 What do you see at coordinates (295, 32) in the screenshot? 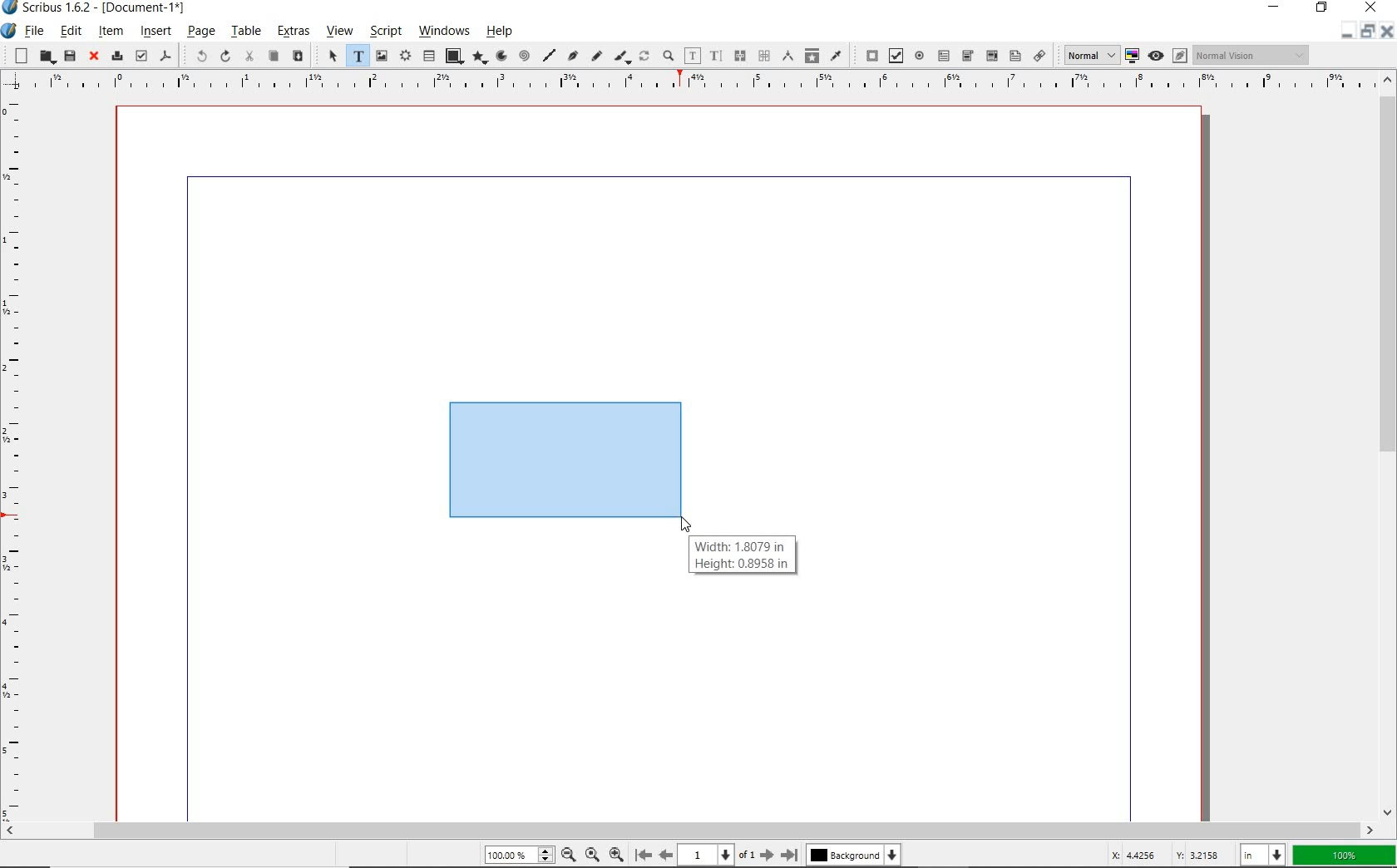
I see `extras` at bounding box center [295, 32].